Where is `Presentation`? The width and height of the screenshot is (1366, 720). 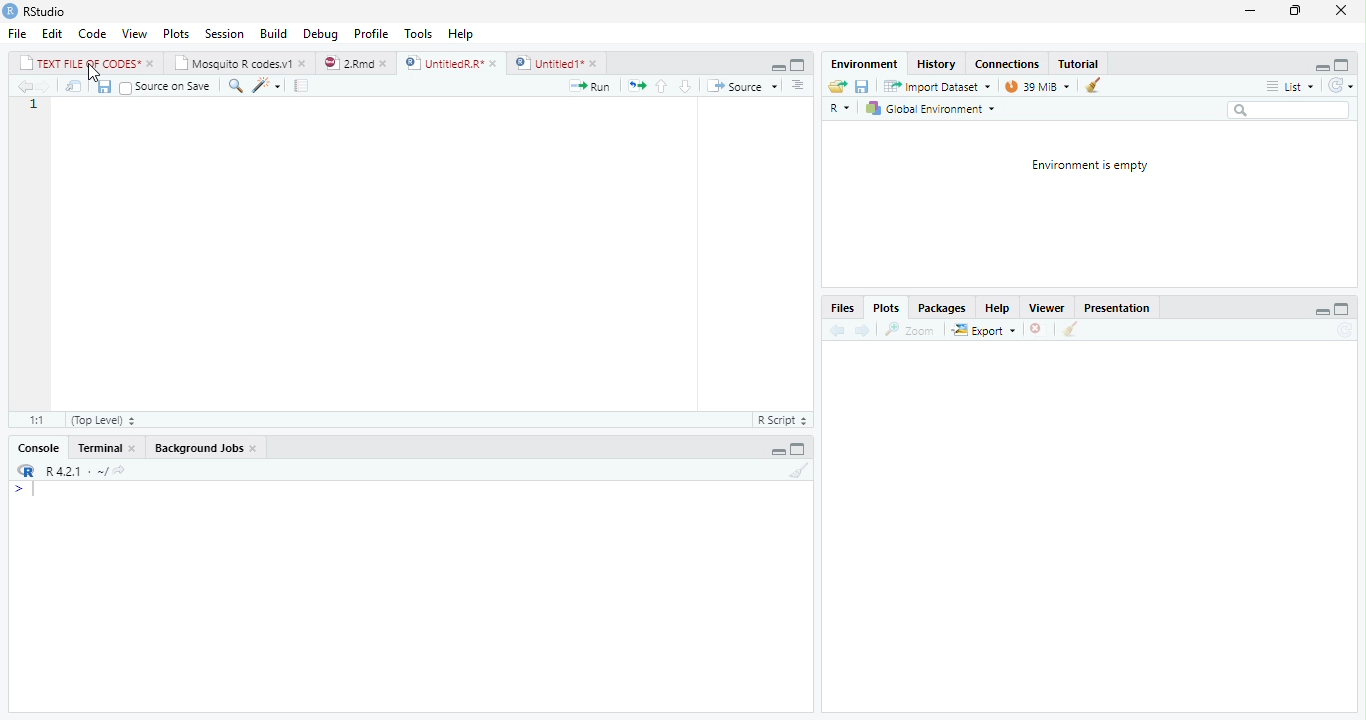
Presentation is located at coordinates (1119, 306).